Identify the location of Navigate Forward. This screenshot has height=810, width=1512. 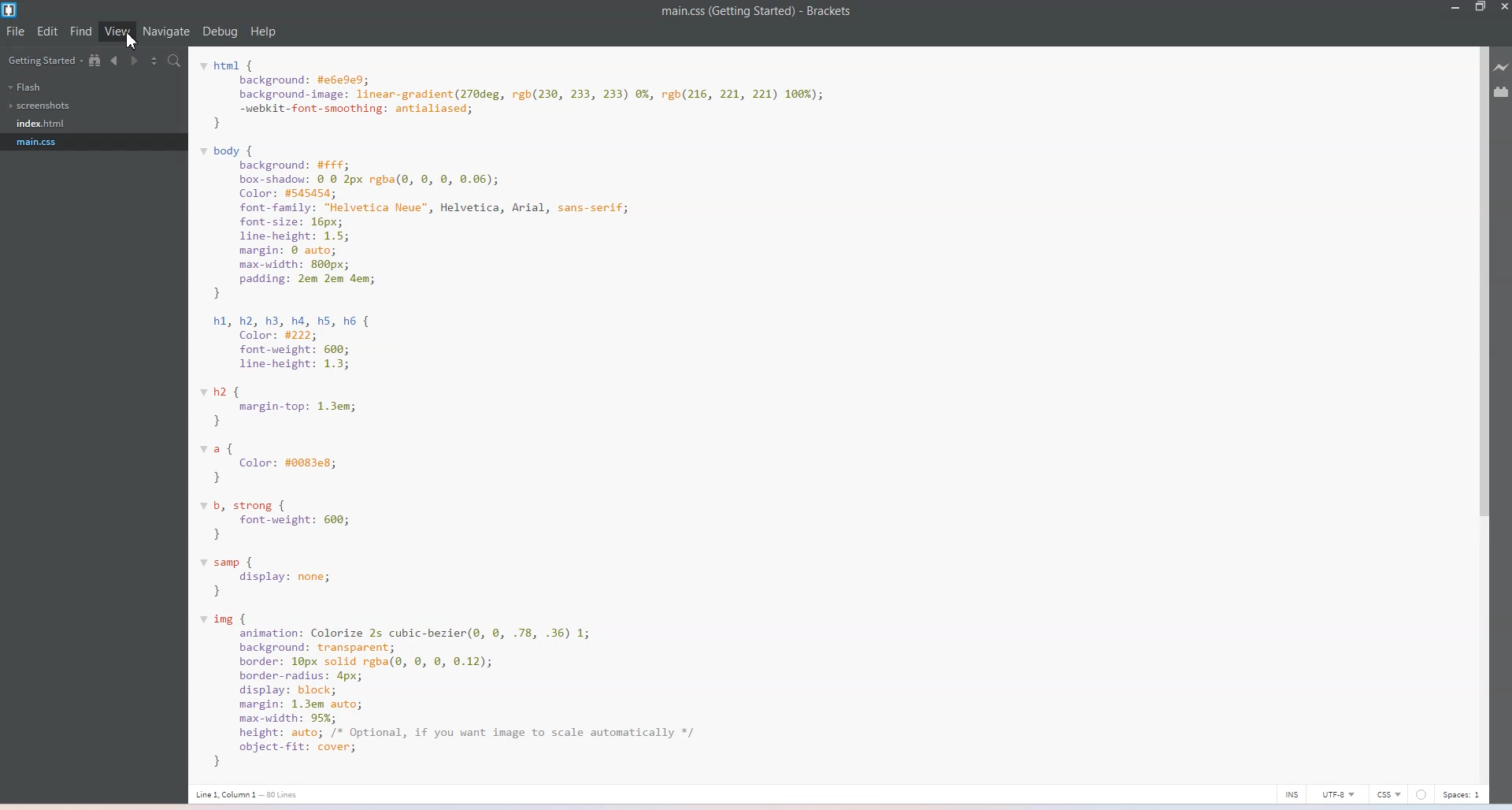
(135, 61).